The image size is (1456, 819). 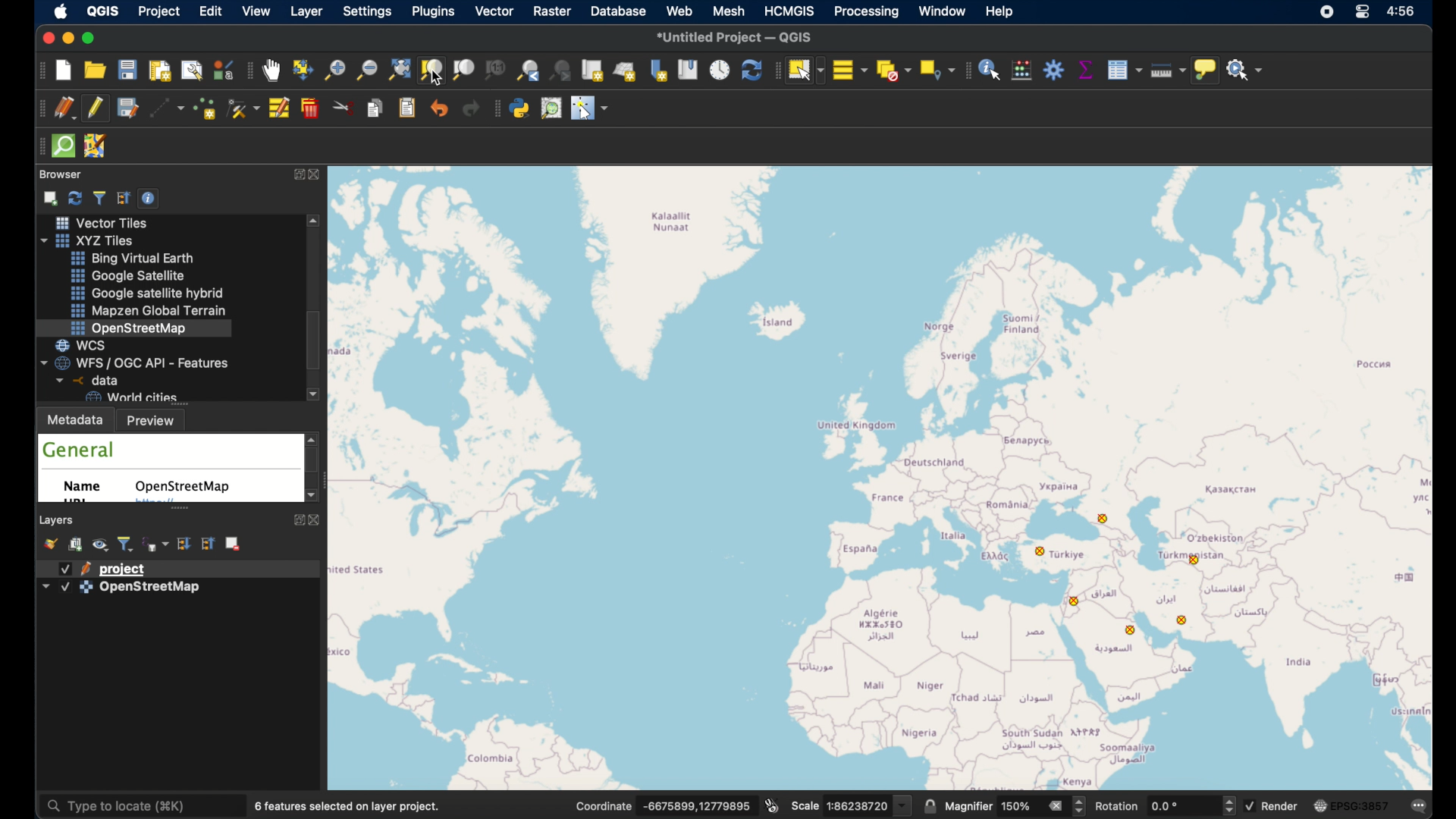 What do you see at coordinates (52, 544) in the screenshot?
I see `open layer styling panel` at bounding box center [52, 544].